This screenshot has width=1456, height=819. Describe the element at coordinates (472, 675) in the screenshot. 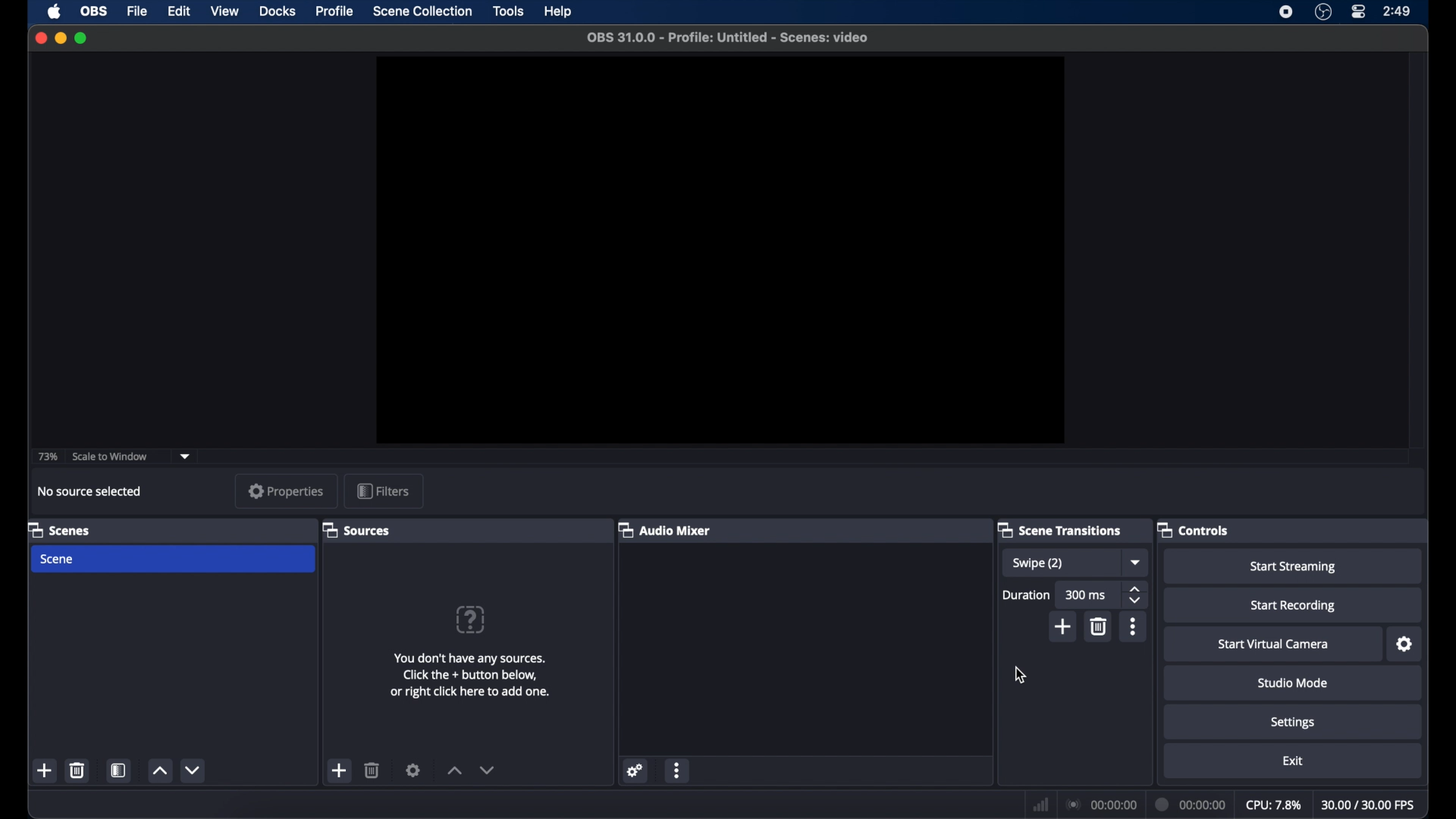

I see `info` at that location.